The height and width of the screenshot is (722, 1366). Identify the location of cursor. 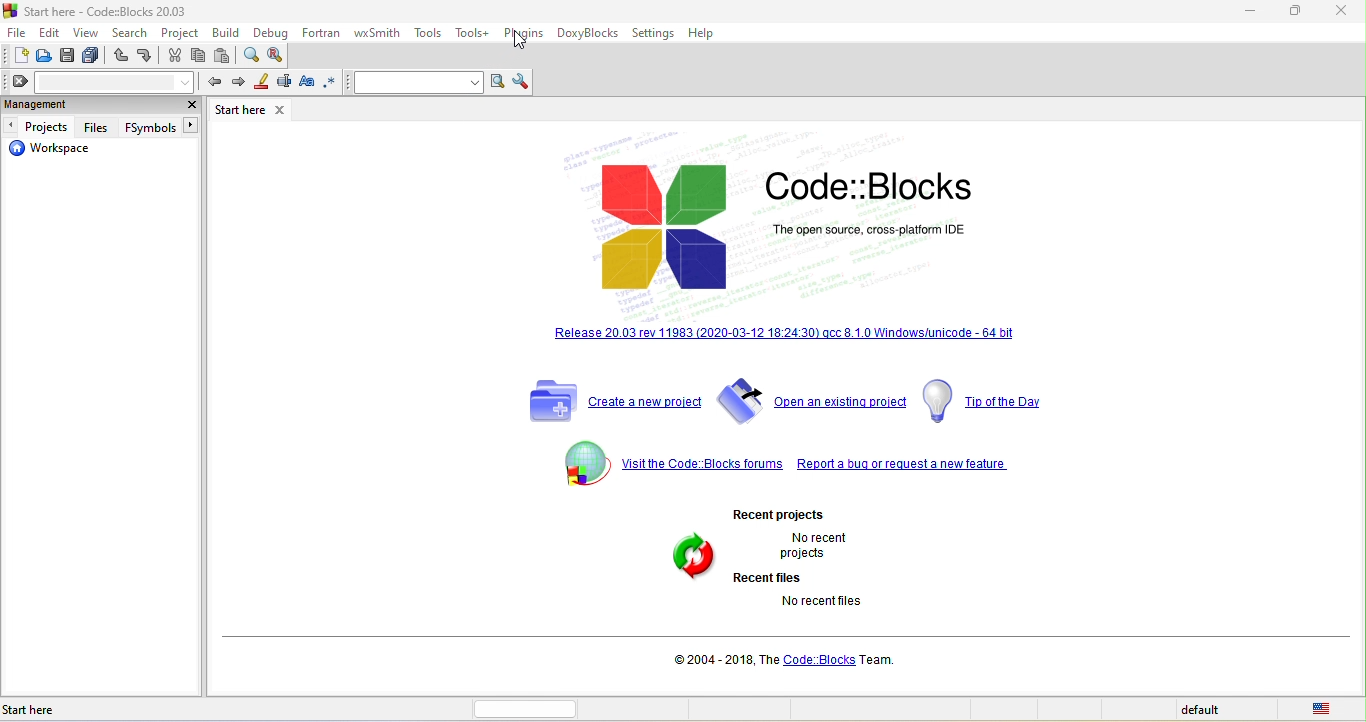
(516, 44).